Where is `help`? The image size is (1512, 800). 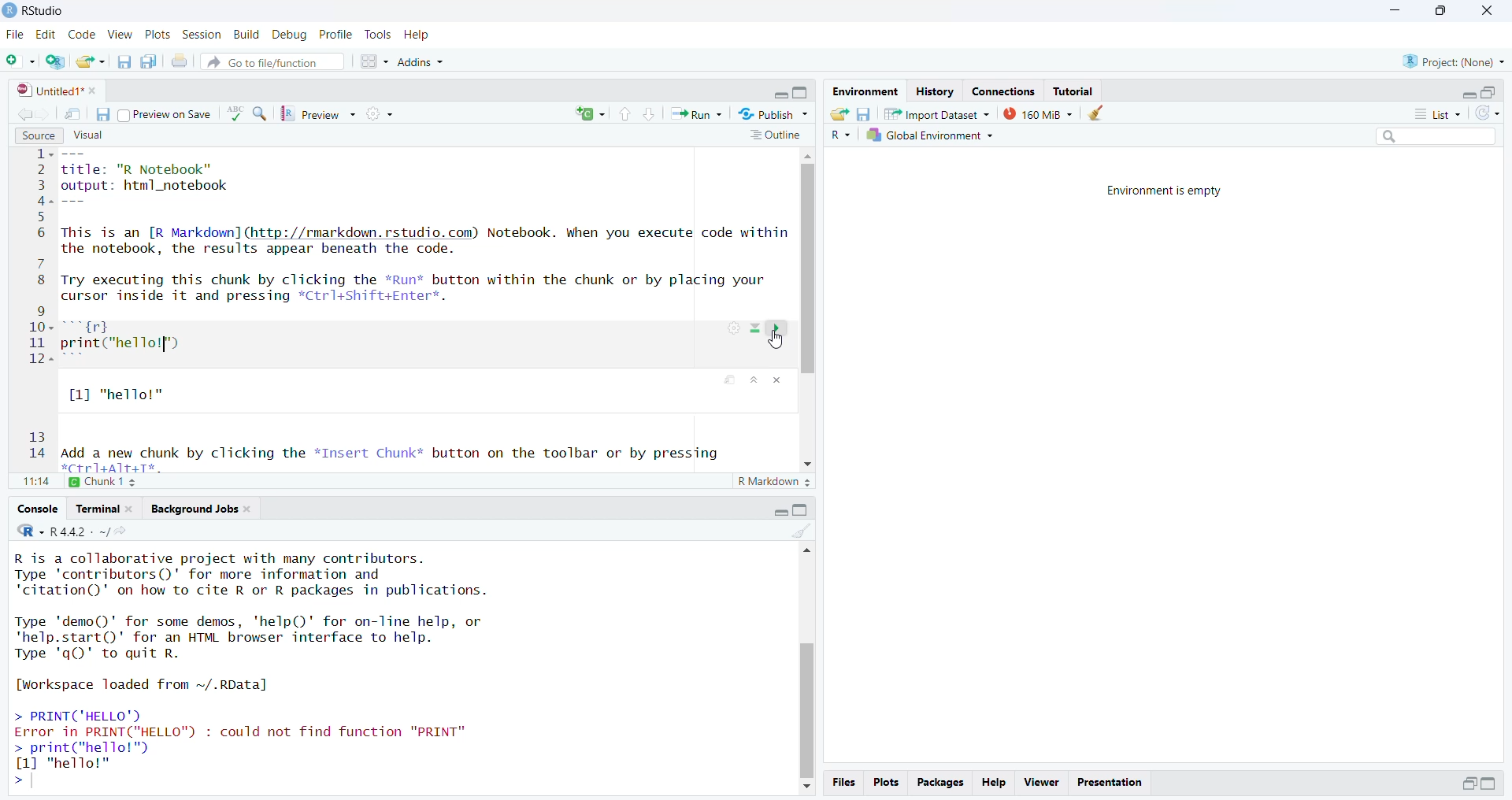 help is located at coordinates (418, 35).